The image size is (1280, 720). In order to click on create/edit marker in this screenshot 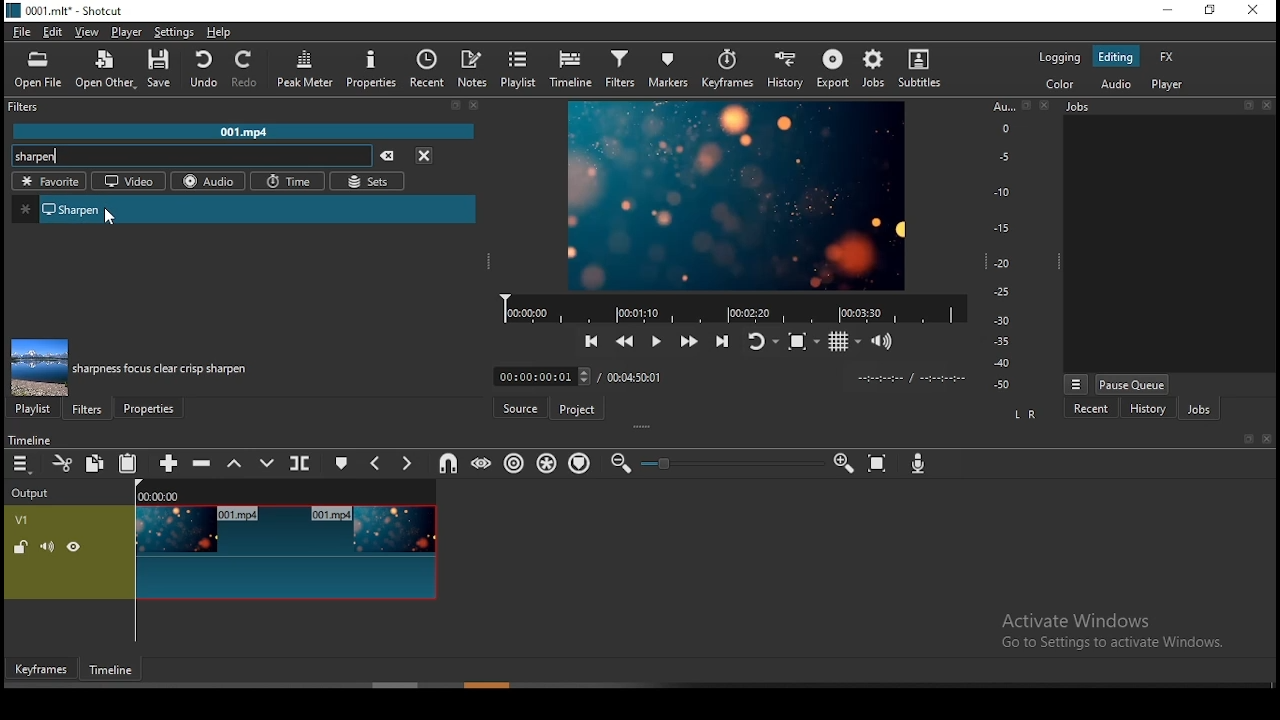, I will do `click(344, 463)`.